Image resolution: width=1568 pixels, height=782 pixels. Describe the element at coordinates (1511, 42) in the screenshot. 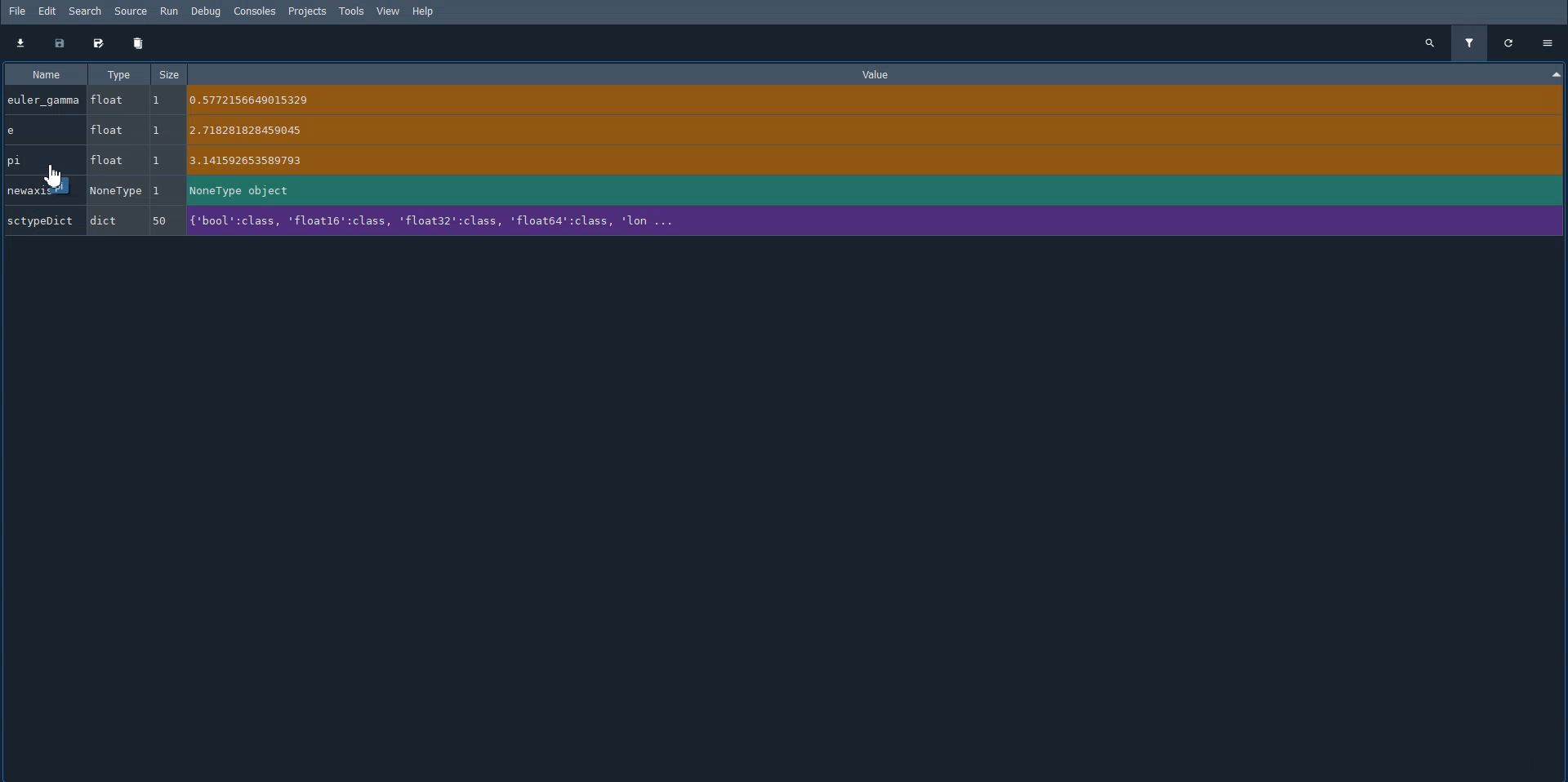

I see `Refresh all variables ` at that location.